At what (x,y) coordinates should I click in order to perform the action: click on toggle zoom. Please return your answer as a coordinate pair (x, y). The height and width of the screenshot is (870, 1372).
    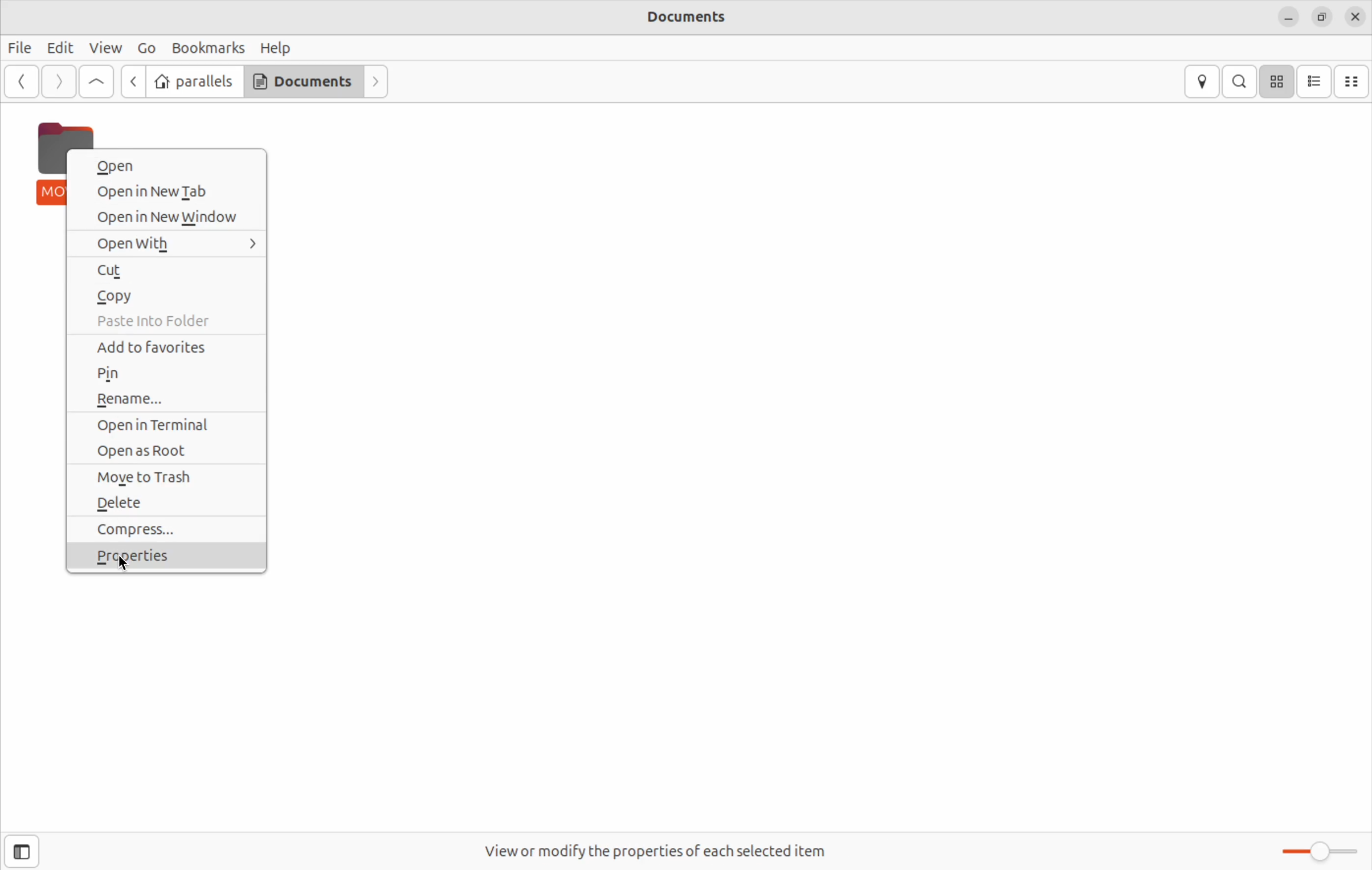
    Looking at the image, I should click on (1314, 851).